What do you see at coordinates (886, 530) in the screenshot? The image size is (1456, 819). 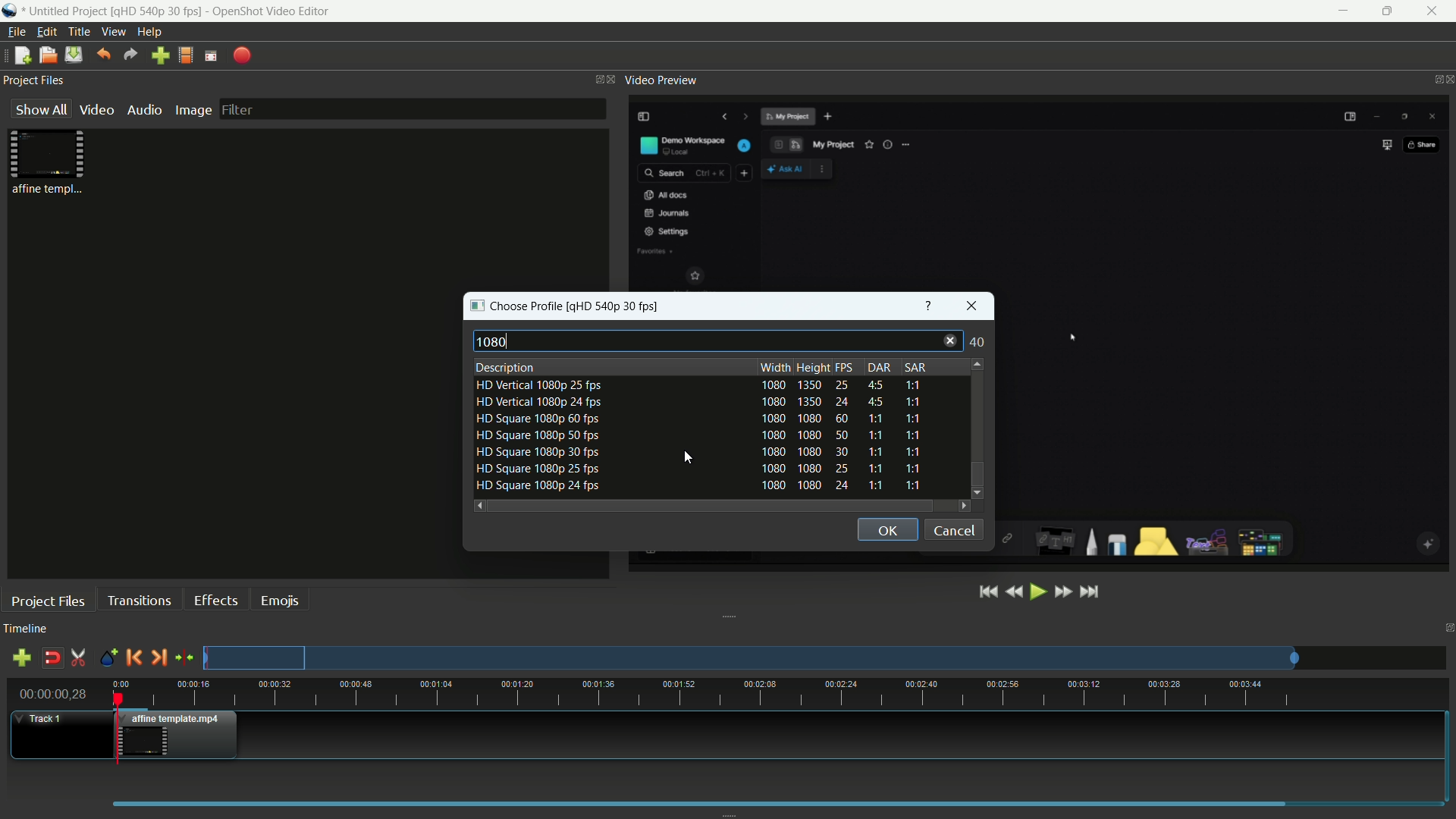 I see `ok` at bounding box center [886, 530].